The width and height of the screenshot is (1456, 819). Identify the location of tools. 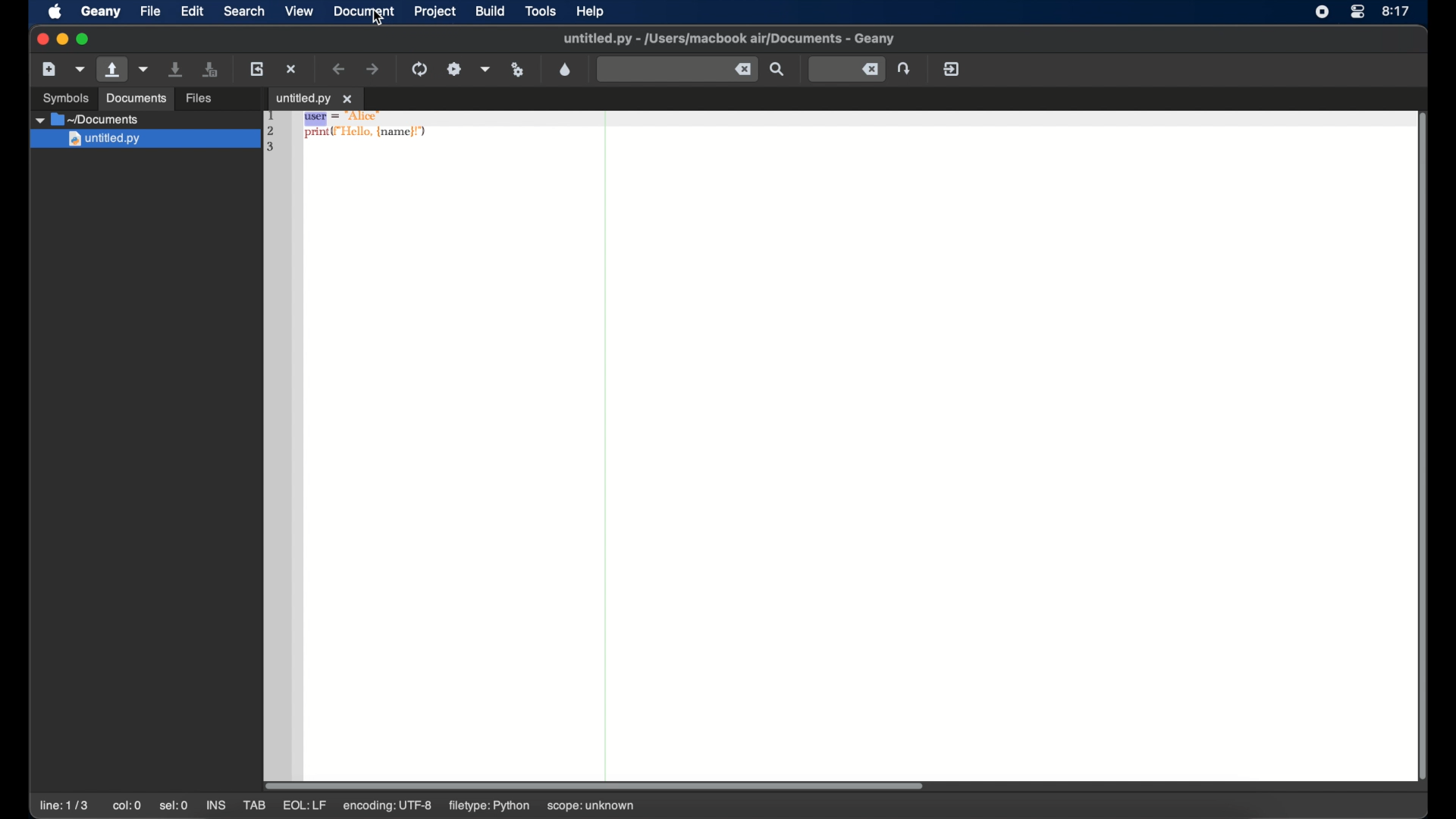
(541, 10).